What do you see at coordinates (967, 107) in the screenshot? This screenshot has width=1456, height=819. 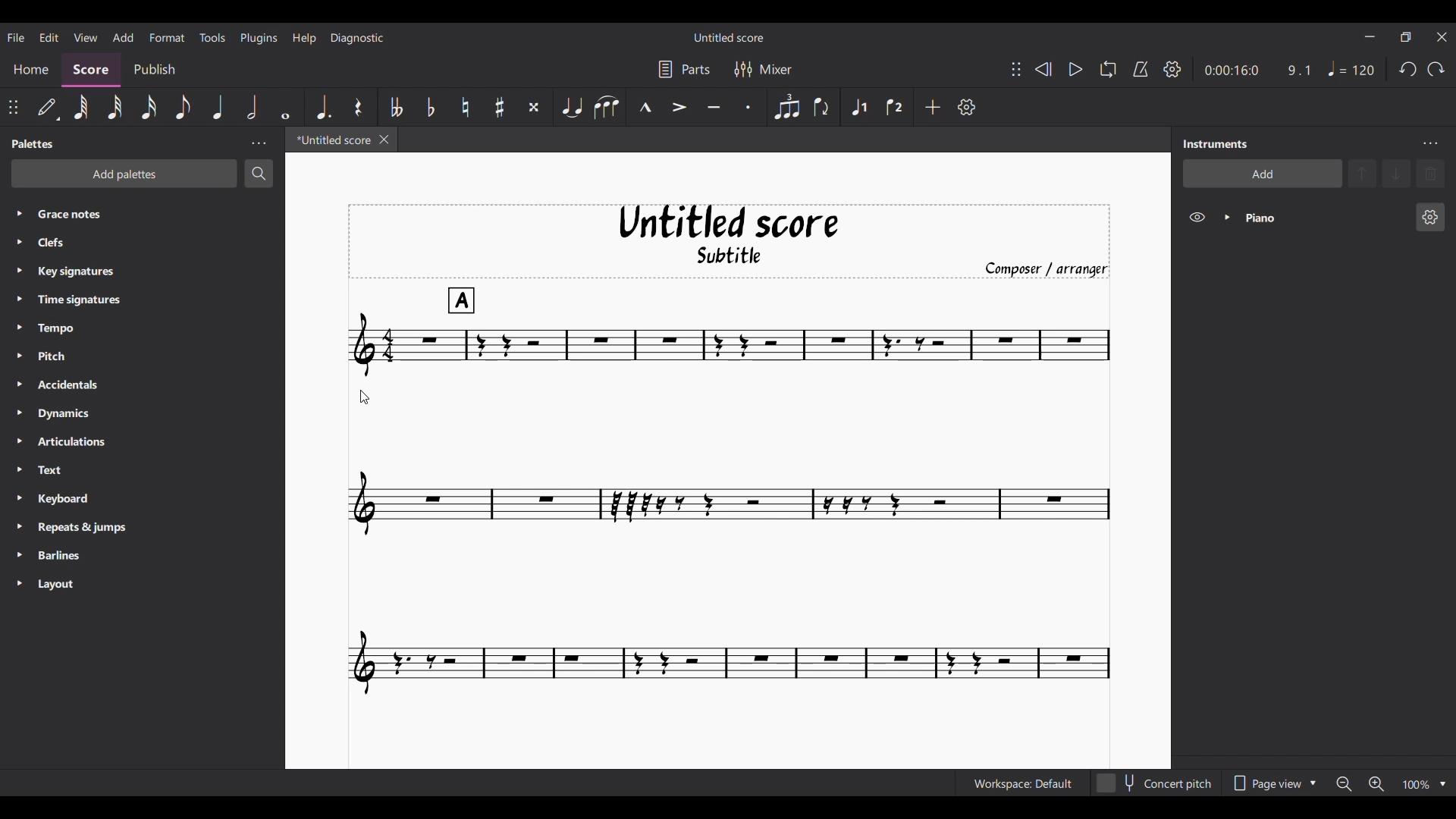 I see `Customize toolbar` at bounding box center [967, 107].